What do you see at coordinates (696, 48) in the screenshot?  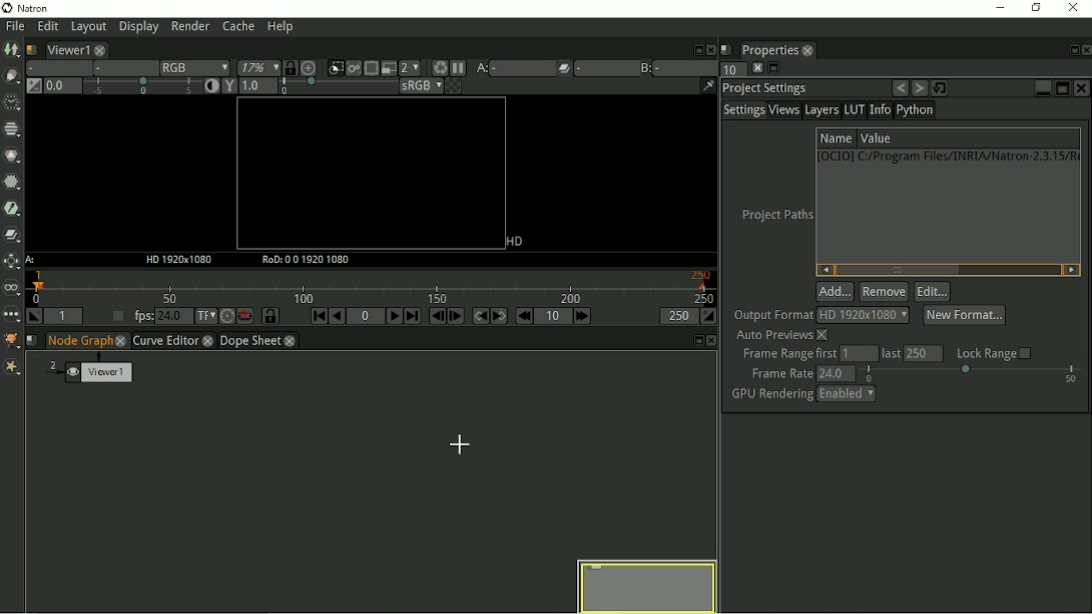 I see `Float pane` at bounding box center [696, 48].